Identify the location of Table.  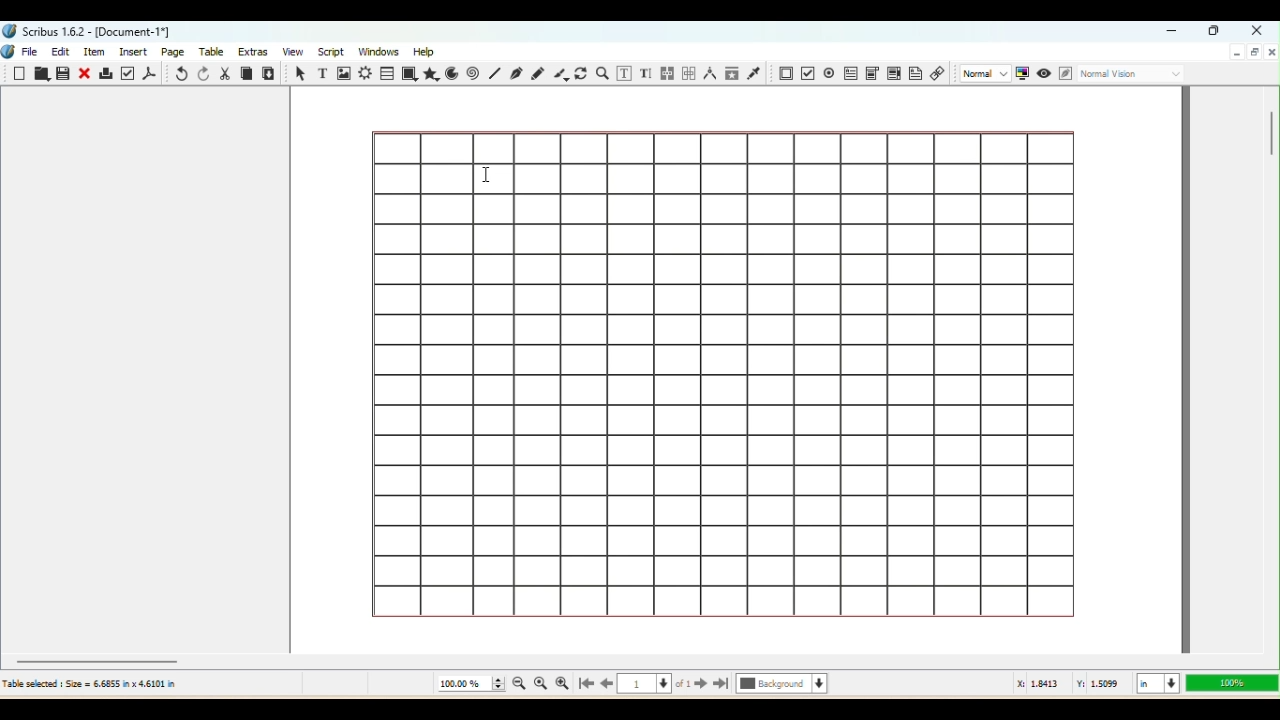
(388, 73).